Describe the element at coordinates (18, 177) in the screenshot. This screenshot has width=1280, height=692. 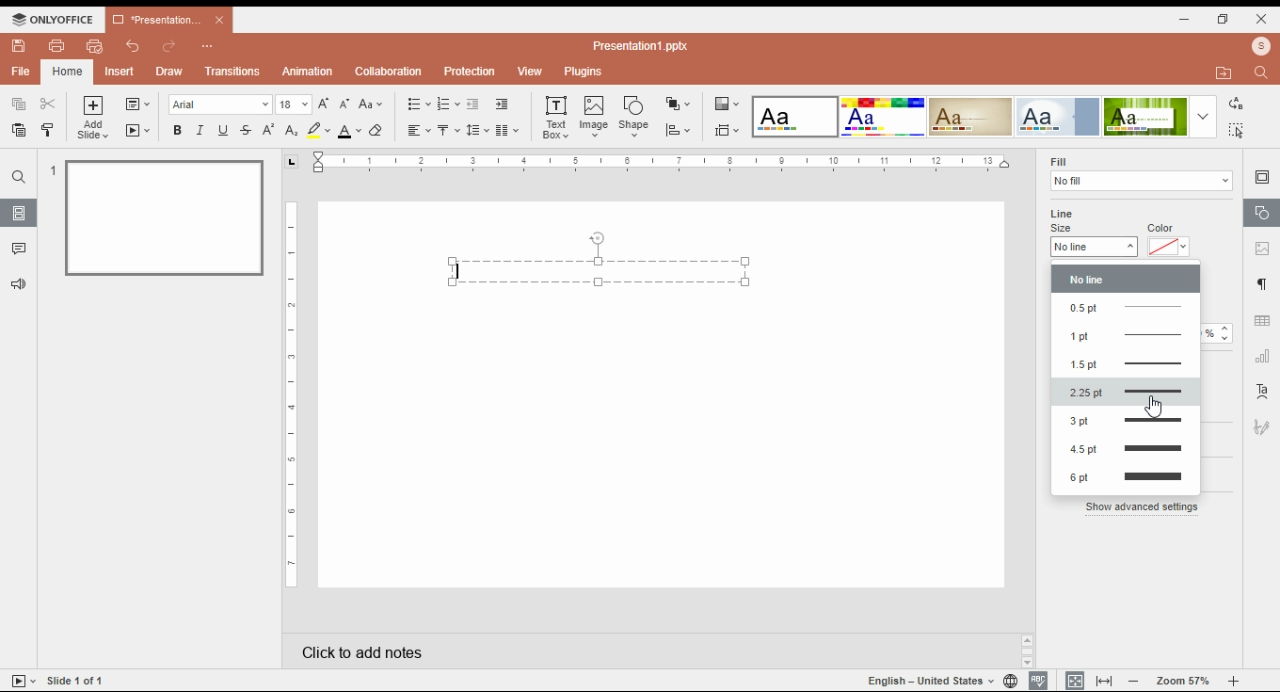
I see `find` at that location.